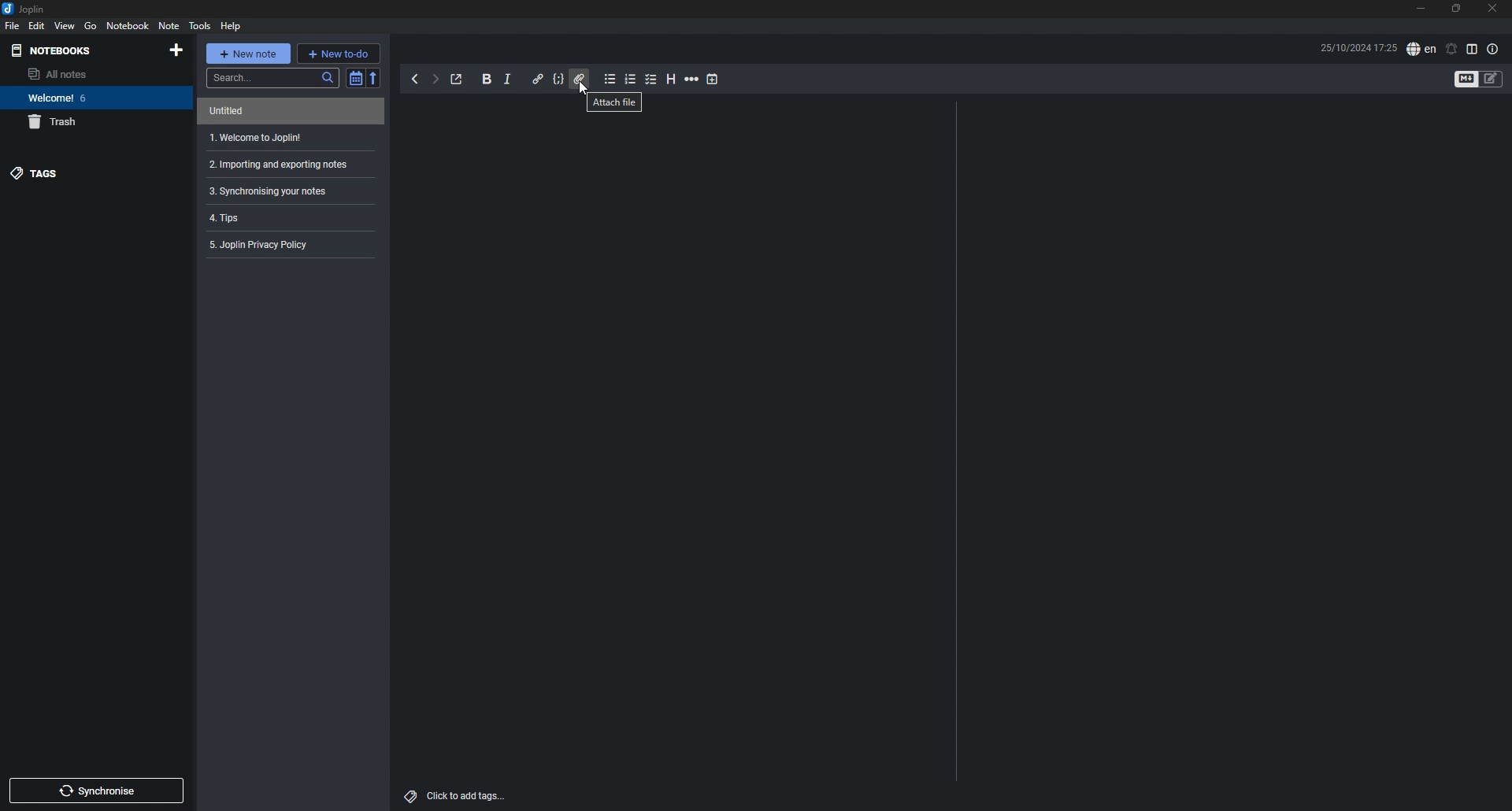  I want to click on heading, so click(670, 80).